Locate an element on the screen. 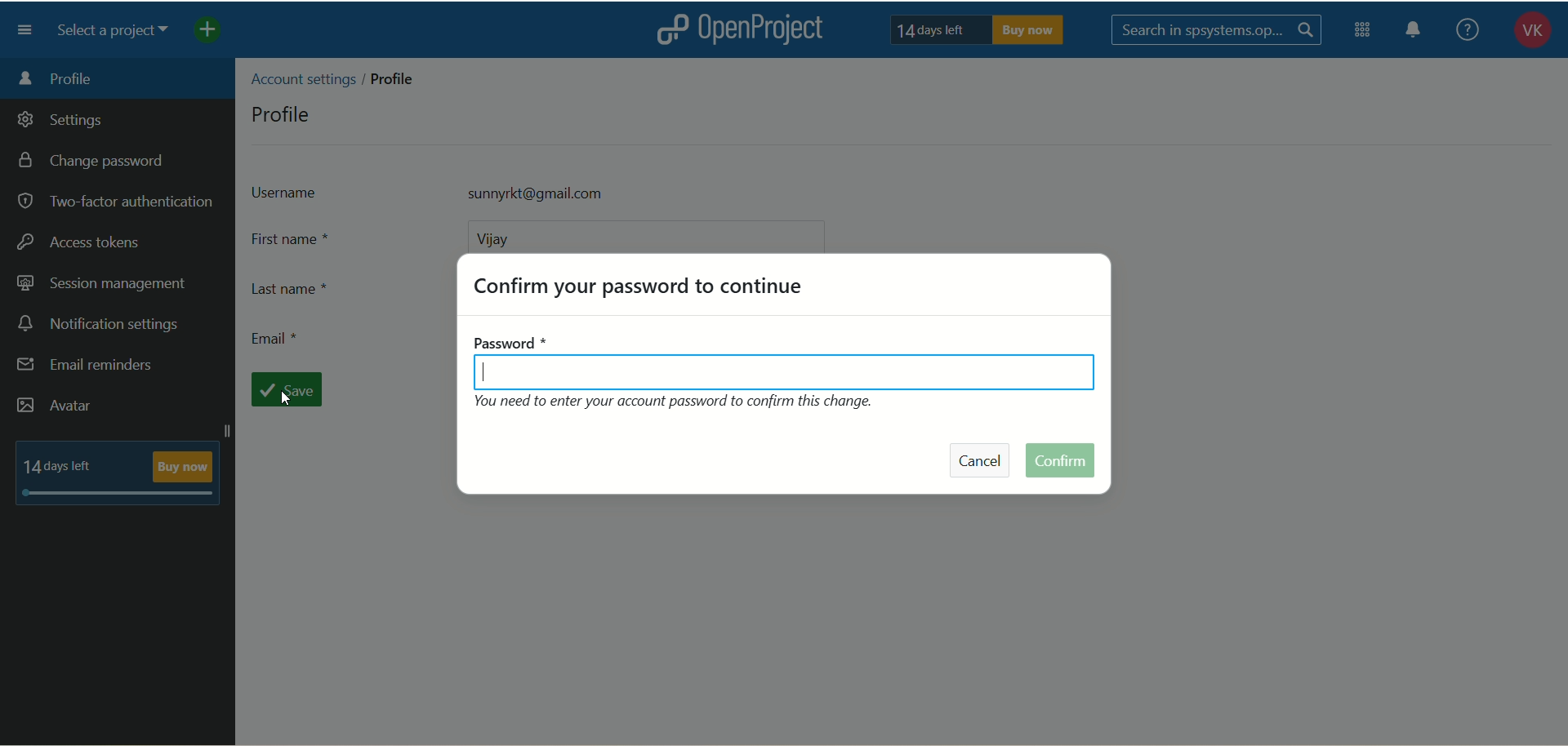 The image size is (1568, 746). confirm password to continue is located at coordinates (643, 285).